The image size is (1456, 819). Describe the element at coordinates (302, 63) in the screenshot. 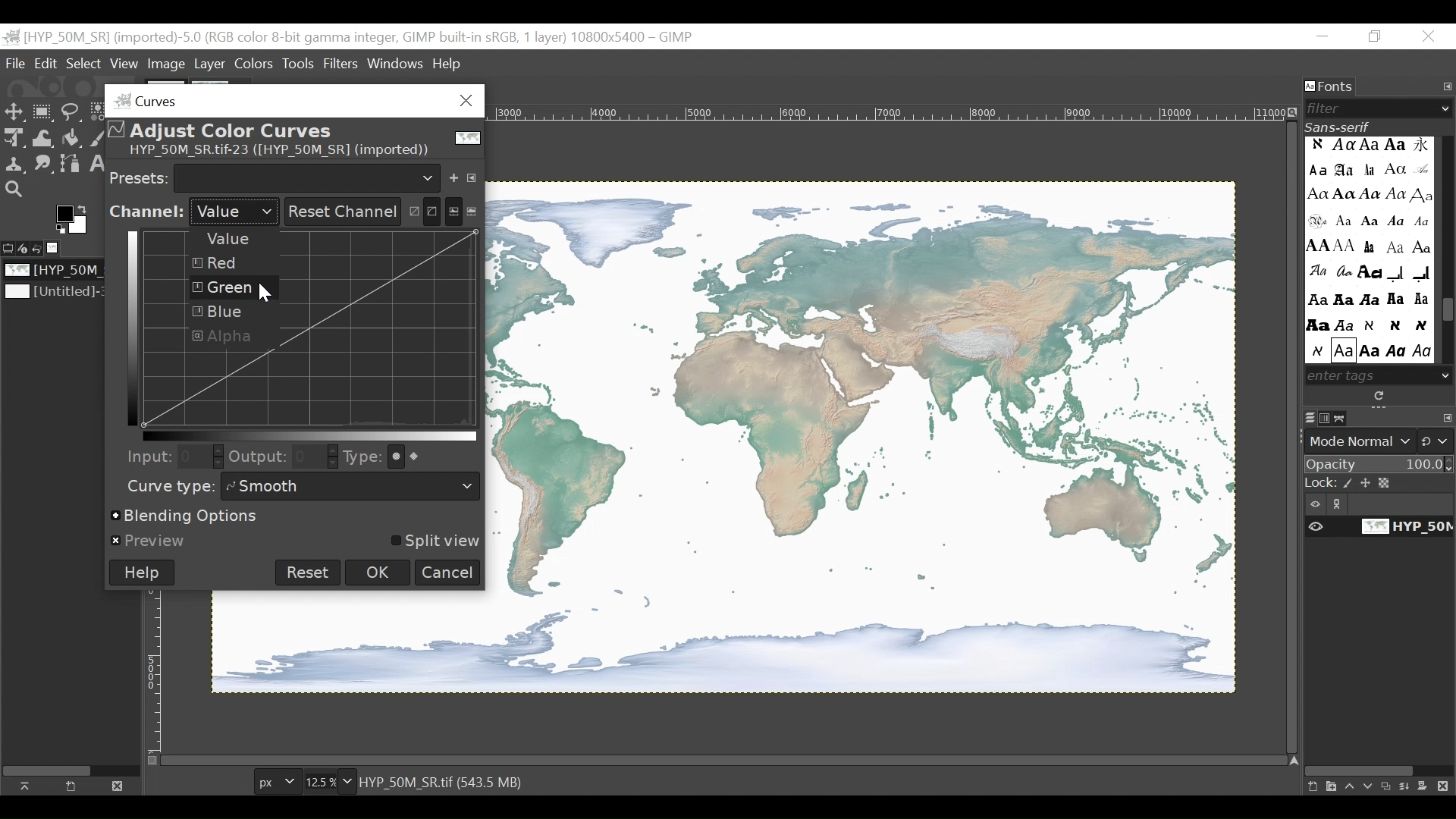

I see `Tools` at that location.